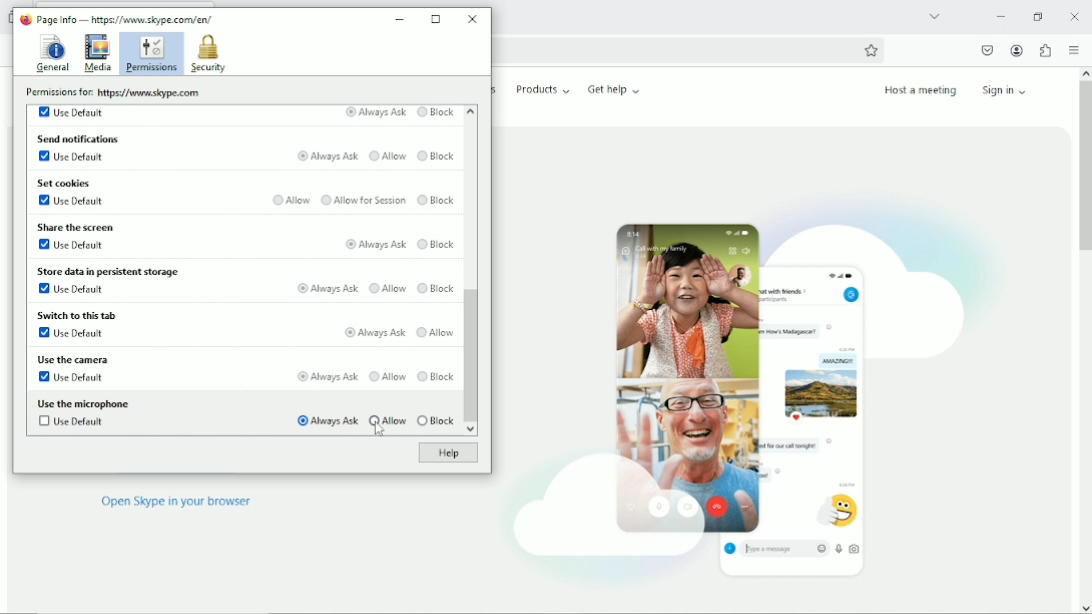 The height and width of the screenshot is (614, 1092). I want to click on Allow, so click(388, 157).